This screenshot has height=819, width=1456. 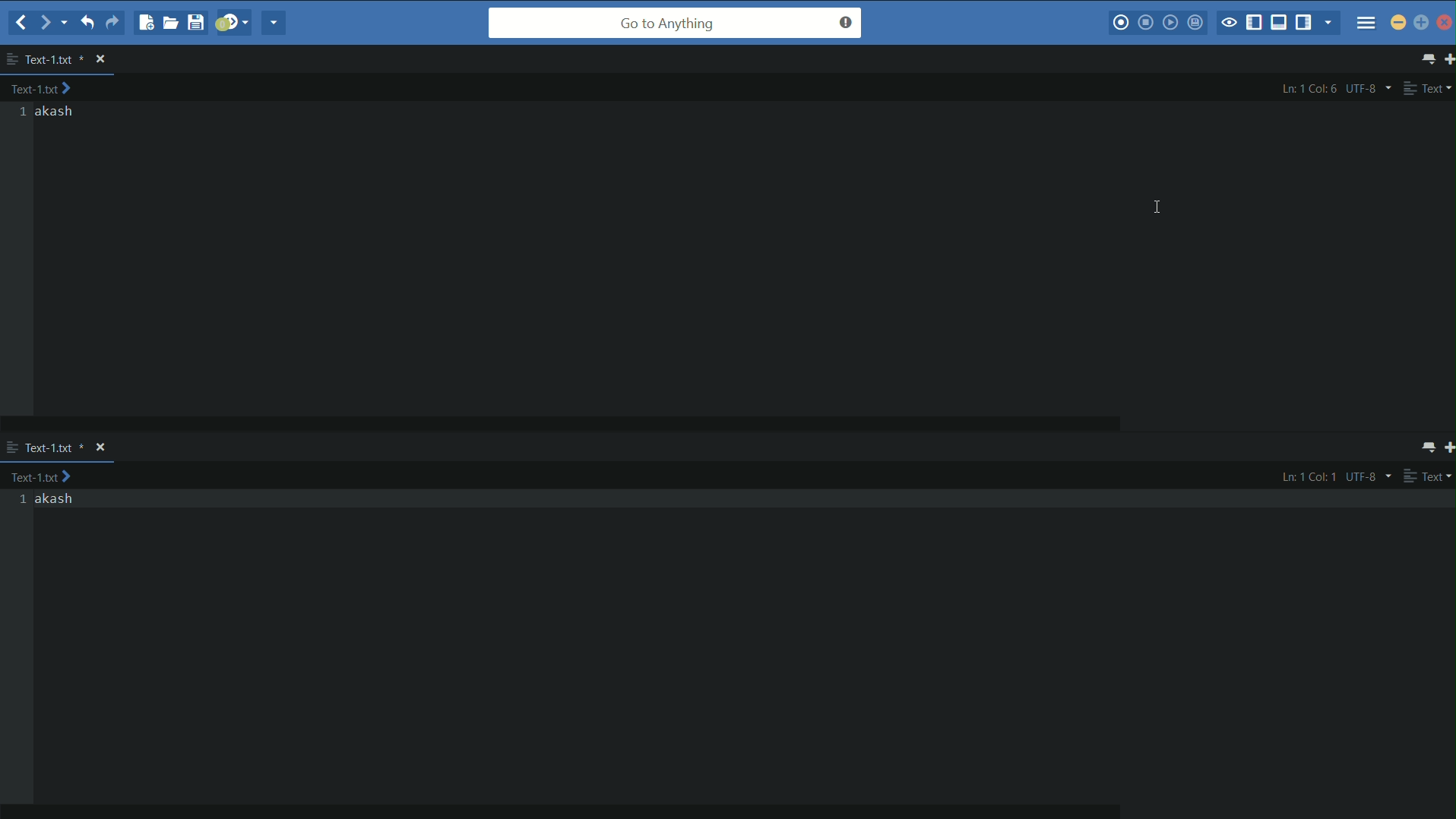 What do you see at coordinates (1398, 22) in the screenshot?
I see `minimize` at bounding box center [1398, 22].